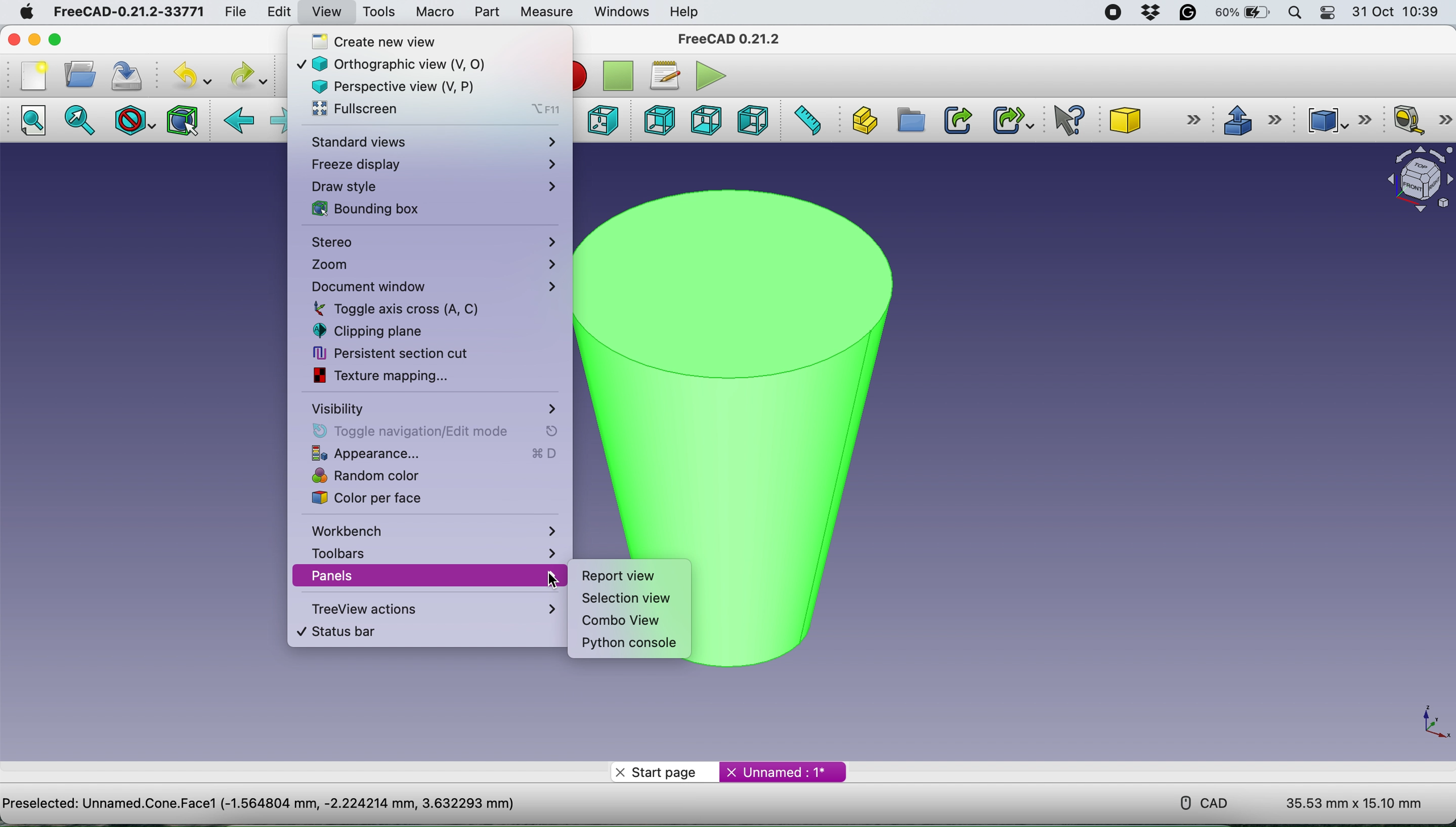 The image size is (1456, 827). I want to click on extrude, so click(1251, 120).